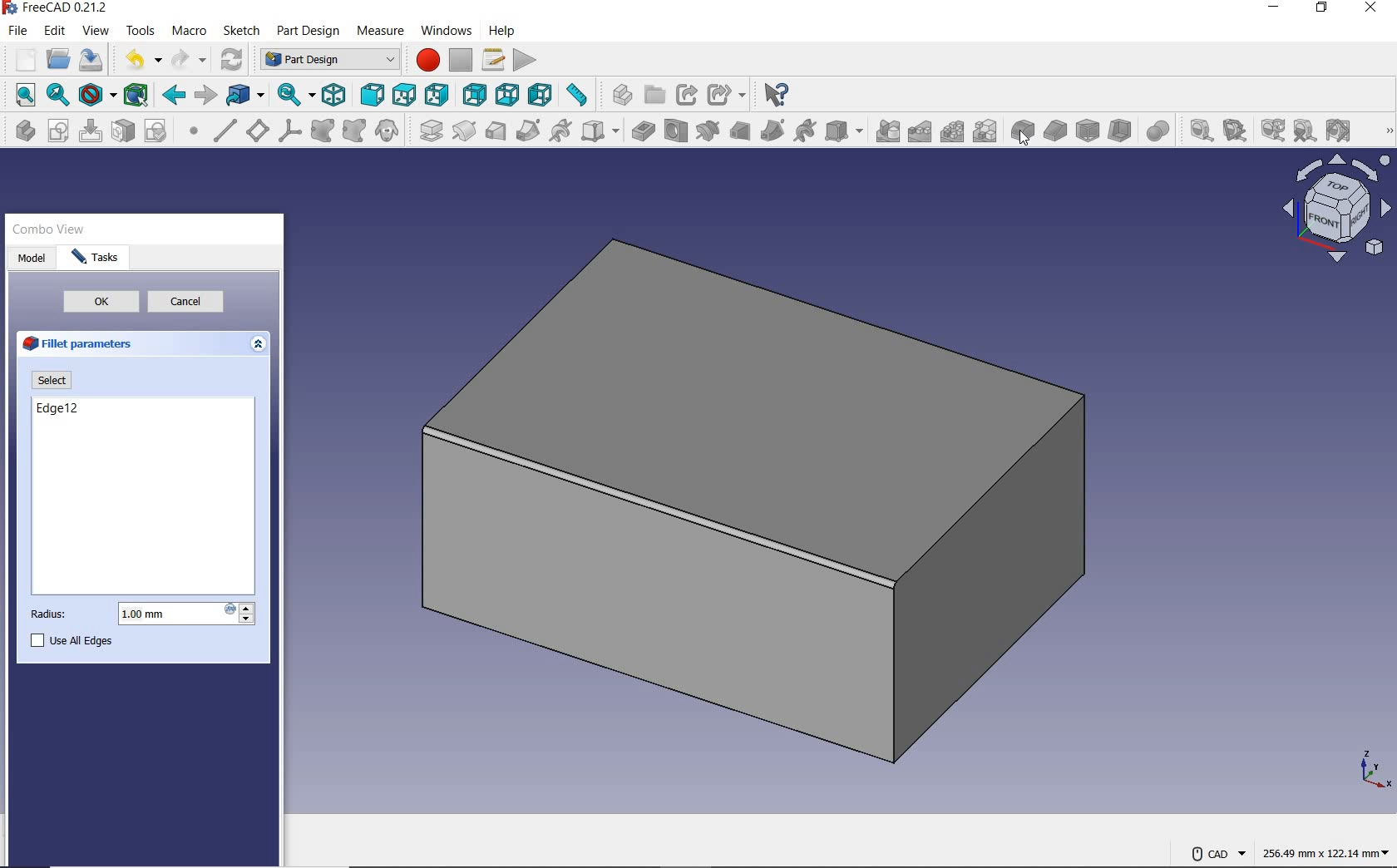 Image resolution: width=1397 pixels, height=868 pixels. What do you see at coordinates (263, 343) in the screenshot?
I see `expand` at bounding box center [263, 343].